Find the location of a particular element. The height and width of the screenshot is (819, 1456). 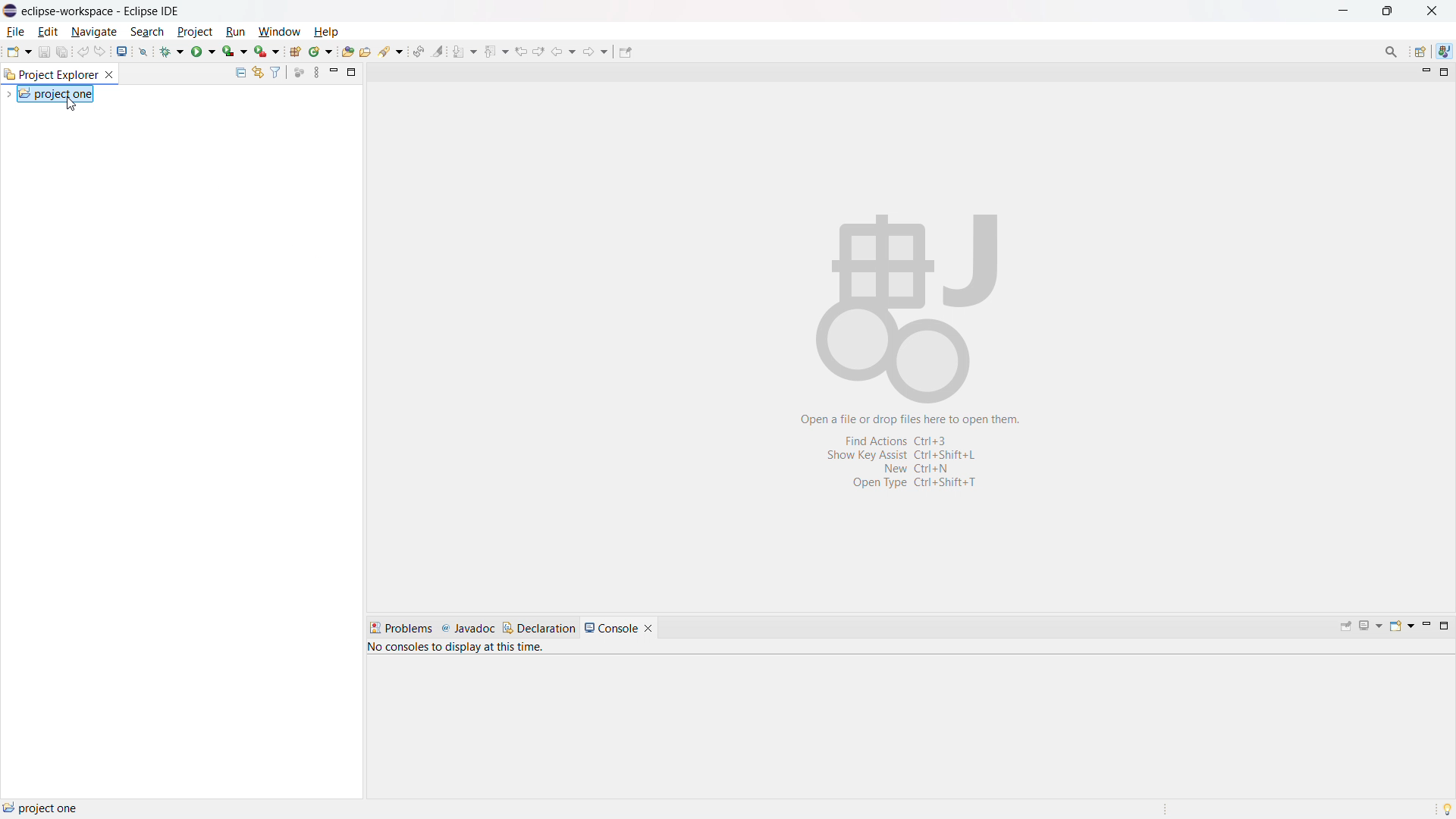

search is located at coordinates (148, 31).